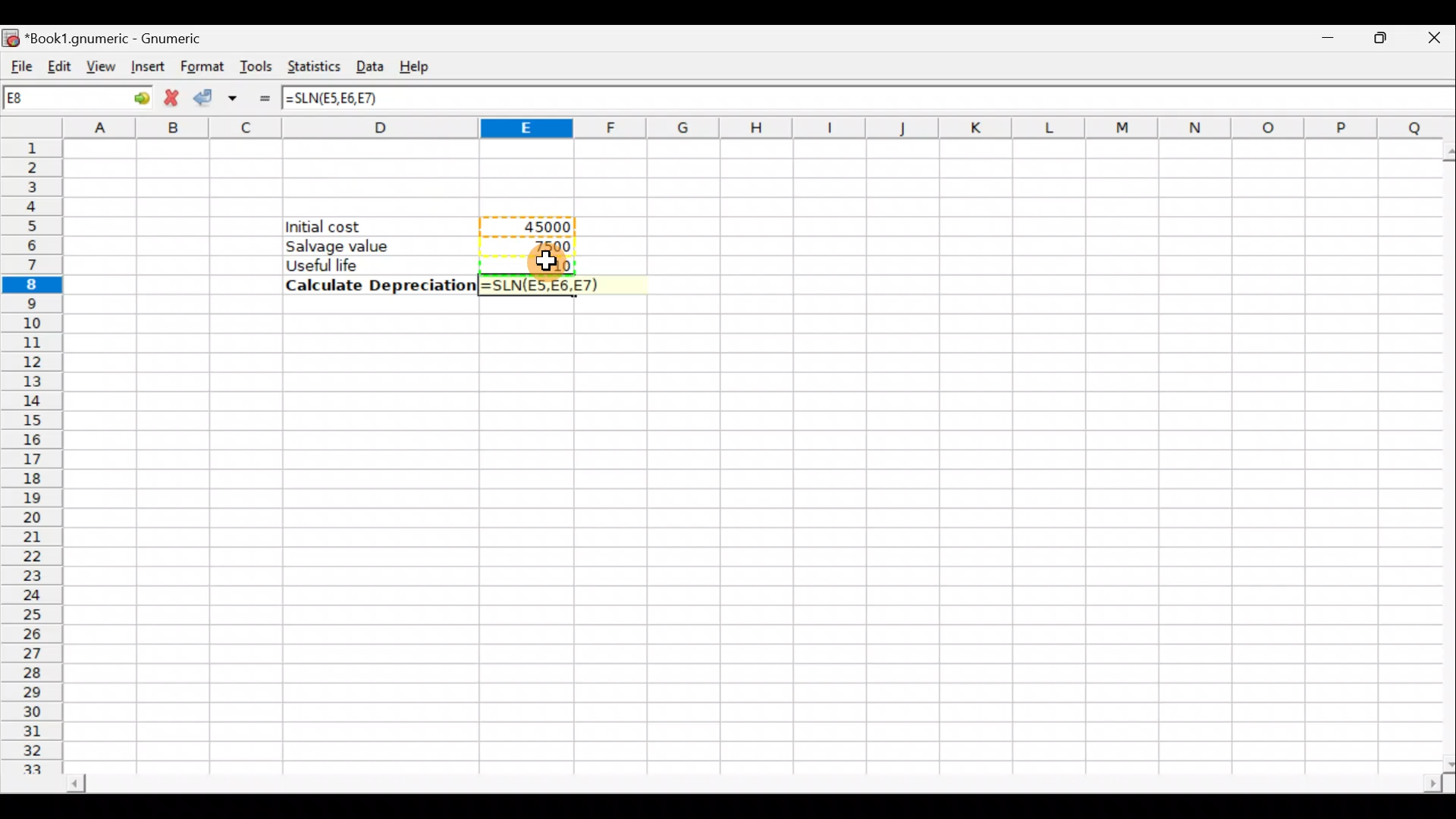 Image resolution: width=1456 pixels, height=819 pixels. Describe the element at coordinates (1442, 452) in the screenshot. I see `Scroll bar` at that location.